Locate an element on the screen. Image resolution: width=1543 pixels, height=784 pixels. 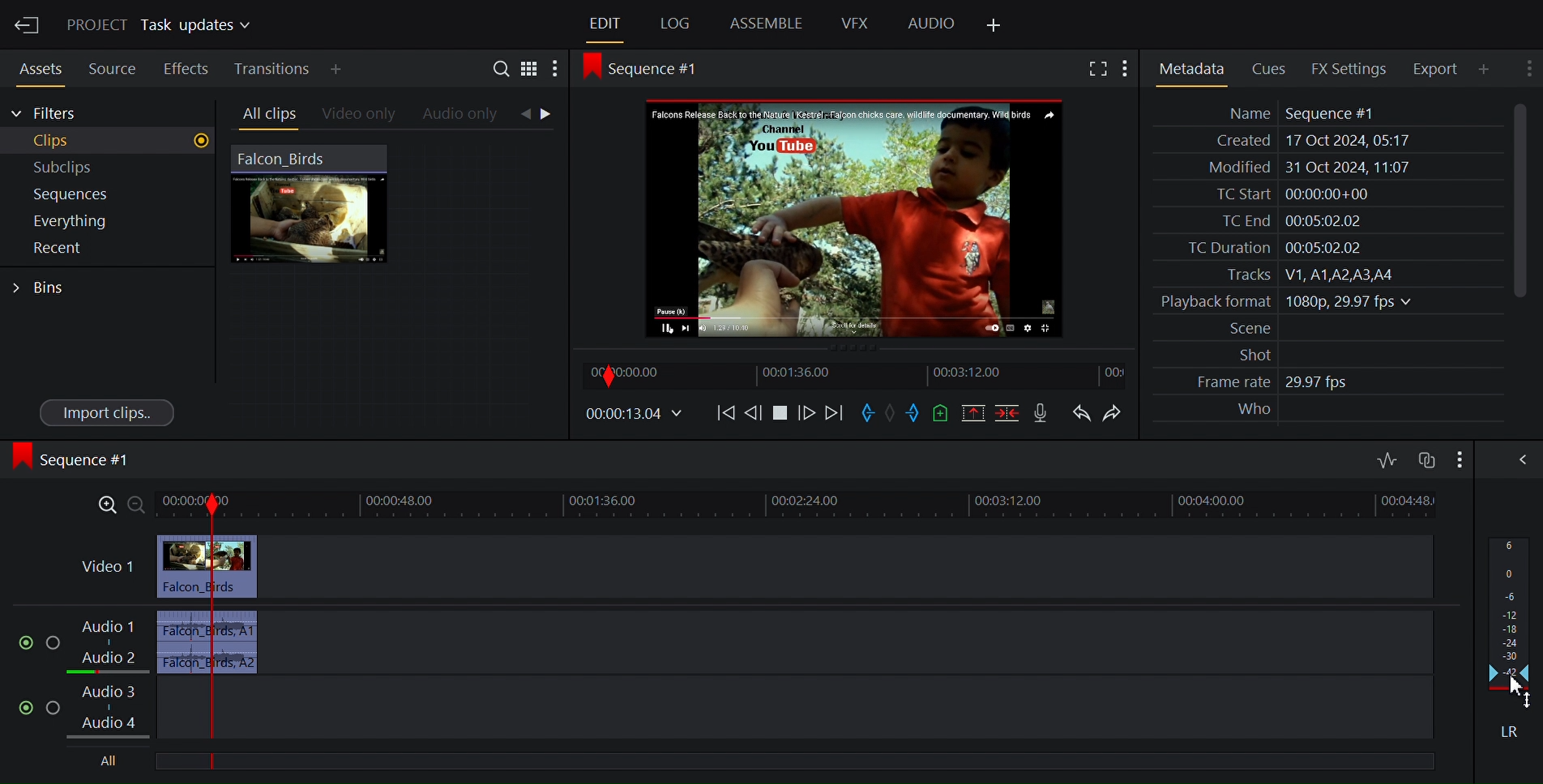
Toggle audio editing levels is located at coordinates (1386, 458).